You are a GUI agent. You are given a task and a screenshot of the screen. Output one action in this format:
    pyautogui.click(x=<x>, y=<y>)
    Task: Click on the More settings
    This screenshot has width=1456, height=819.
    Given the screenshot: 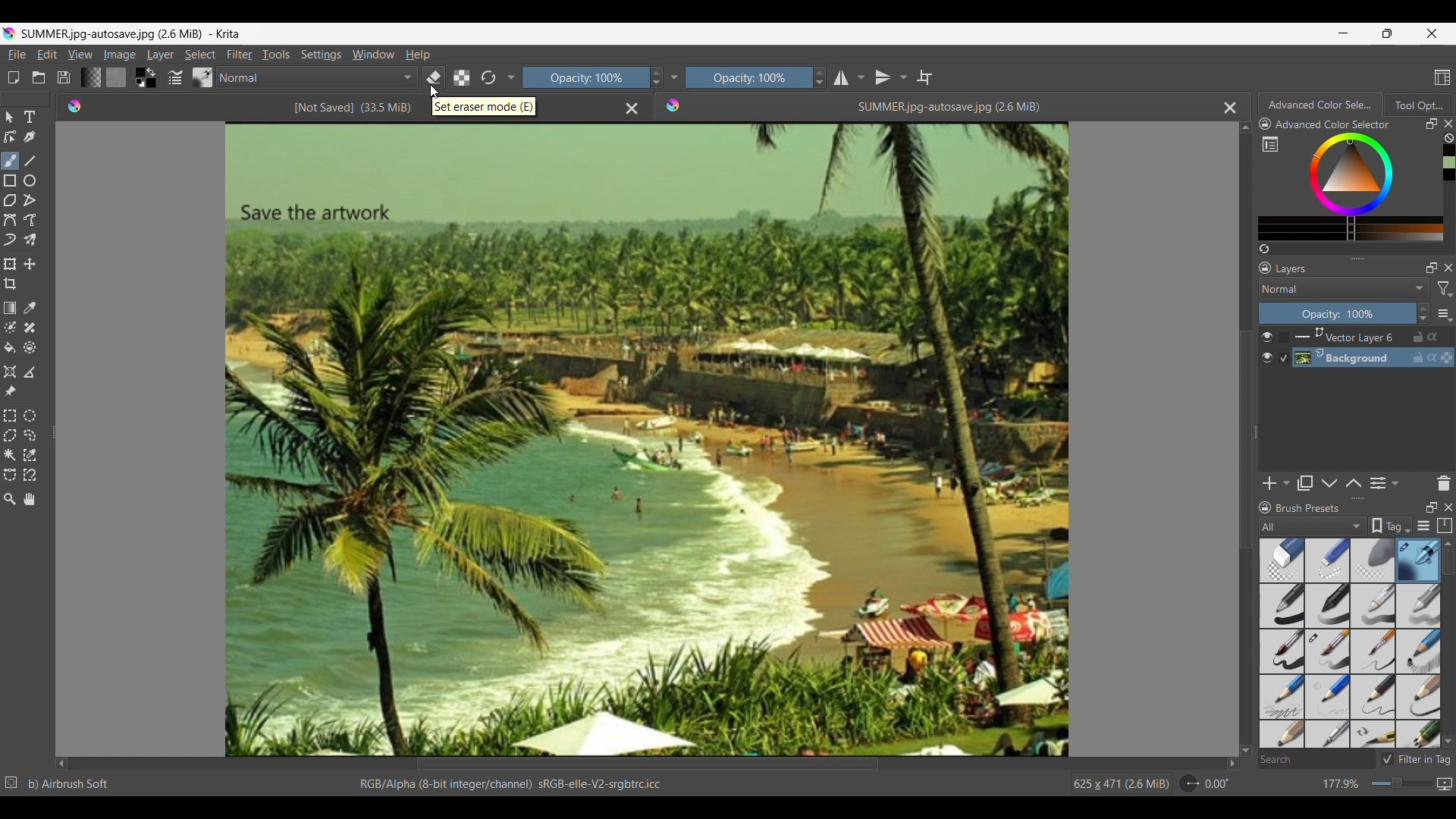 What is the action you would take?
    pyautogui.click(x=1444, y=313)
    